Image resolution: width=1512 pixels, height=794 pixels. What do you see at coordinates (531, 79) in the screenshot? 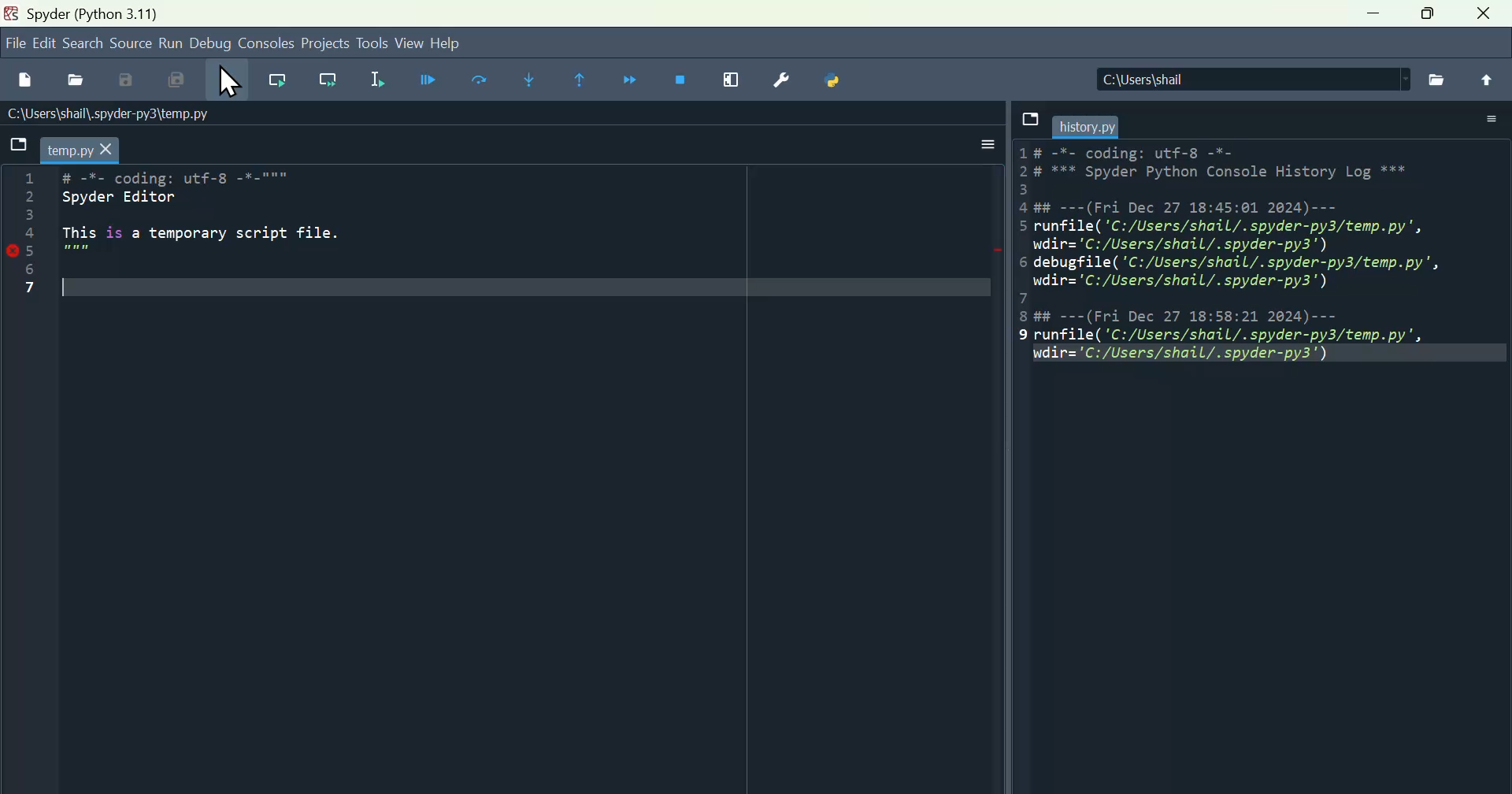
I see `Step into function` at bounding box center [531, 79].